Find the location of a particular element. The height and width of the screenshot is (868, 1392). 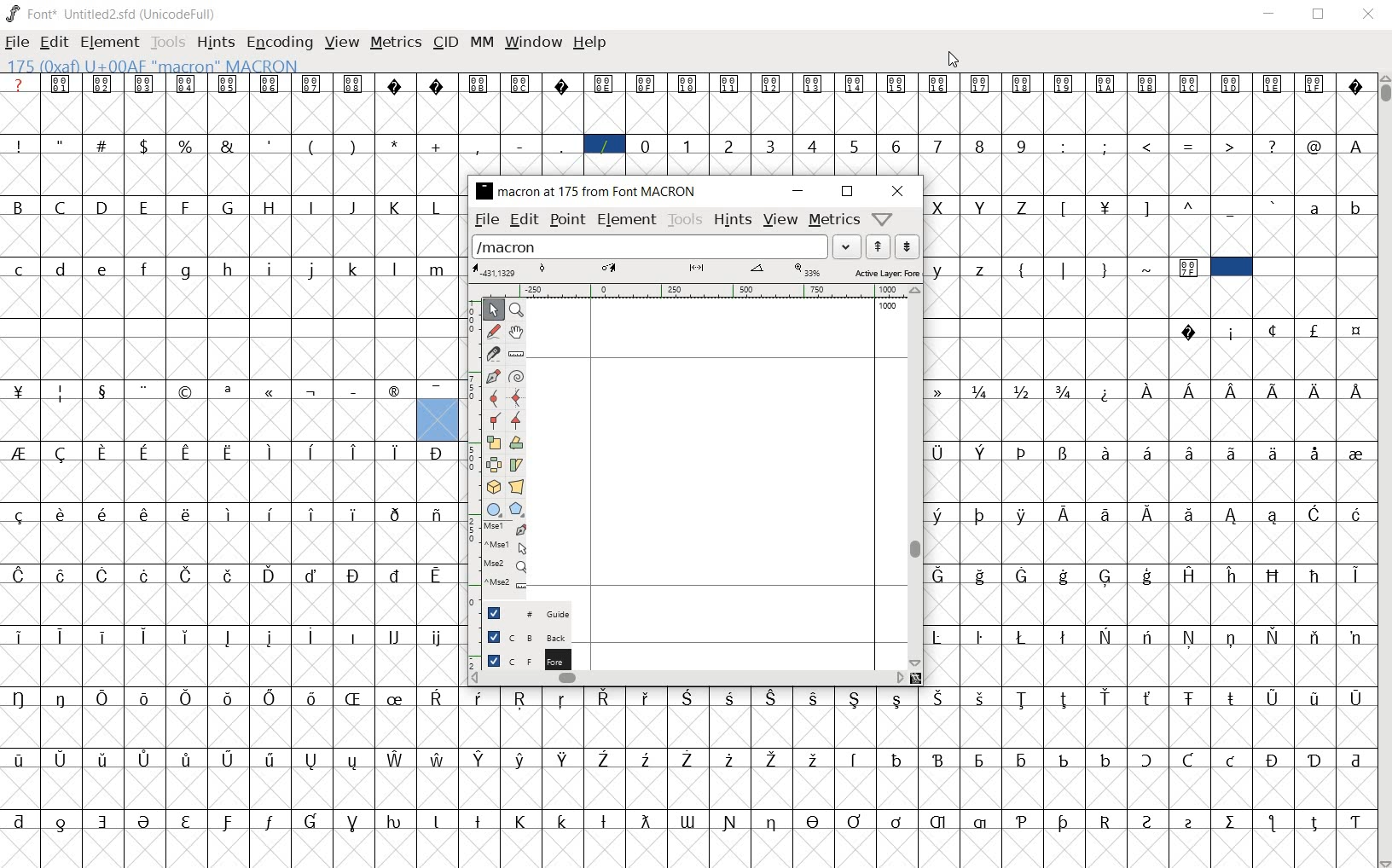

empty spaces is located at coordinates (1316, 267).